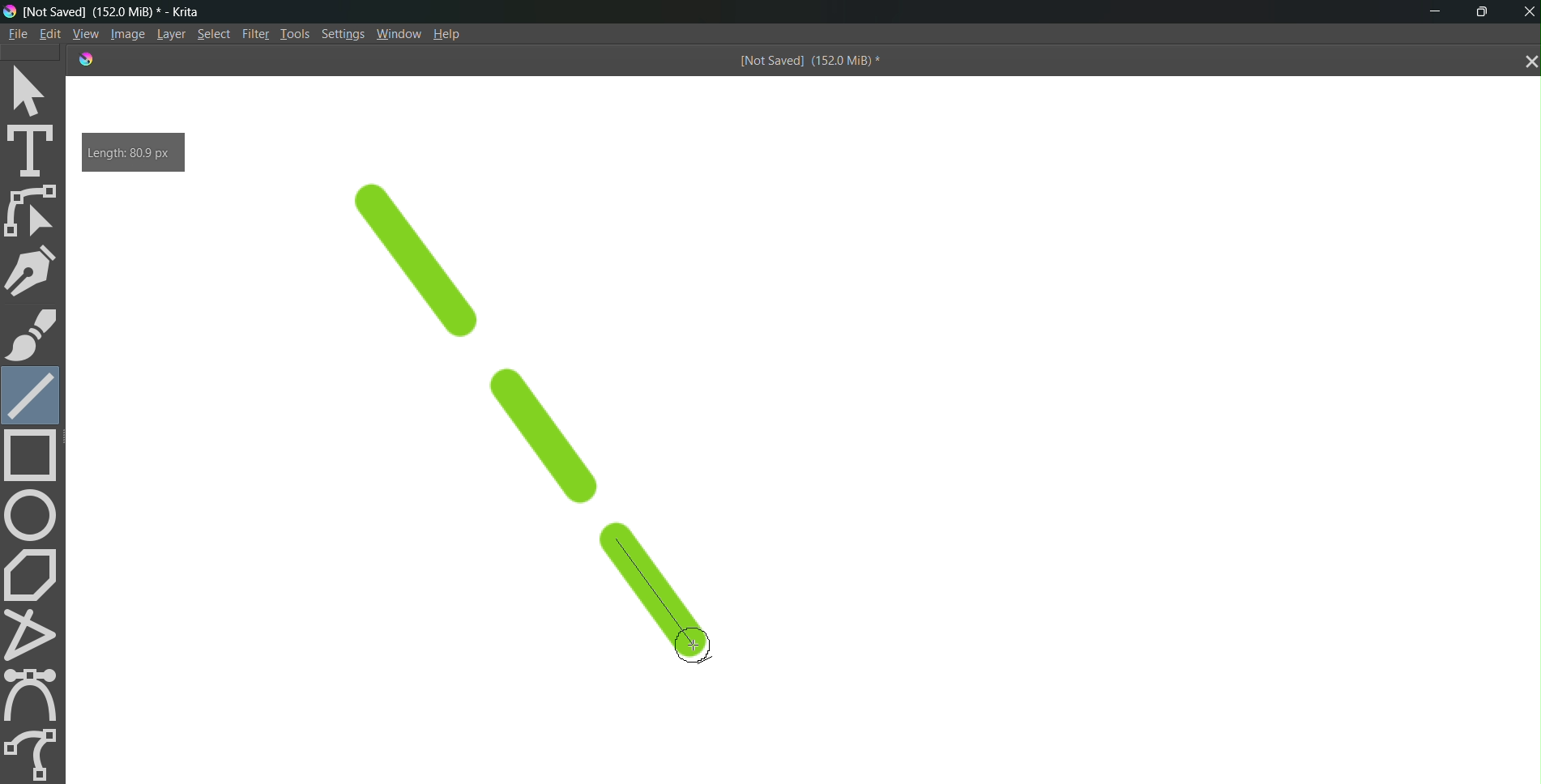 This screenshot has width=1541, height=784. What do you see at coordinates (35, 271) in the screenshot?
I see `pen` at bounding box center [35, 271].